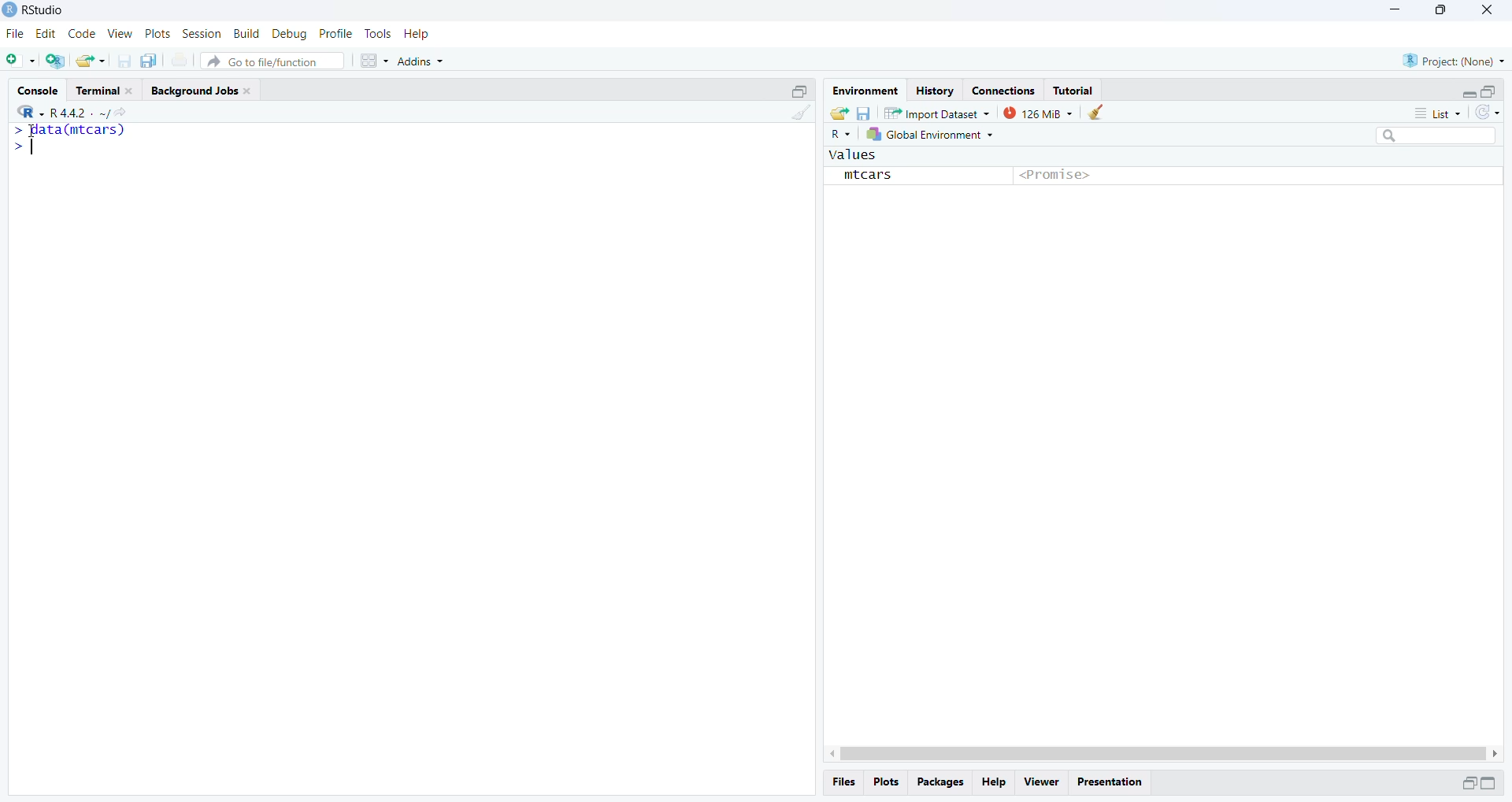 The height and width of the screenshot is (802, 1512). I want to click on minimize, so click(1488, 783).